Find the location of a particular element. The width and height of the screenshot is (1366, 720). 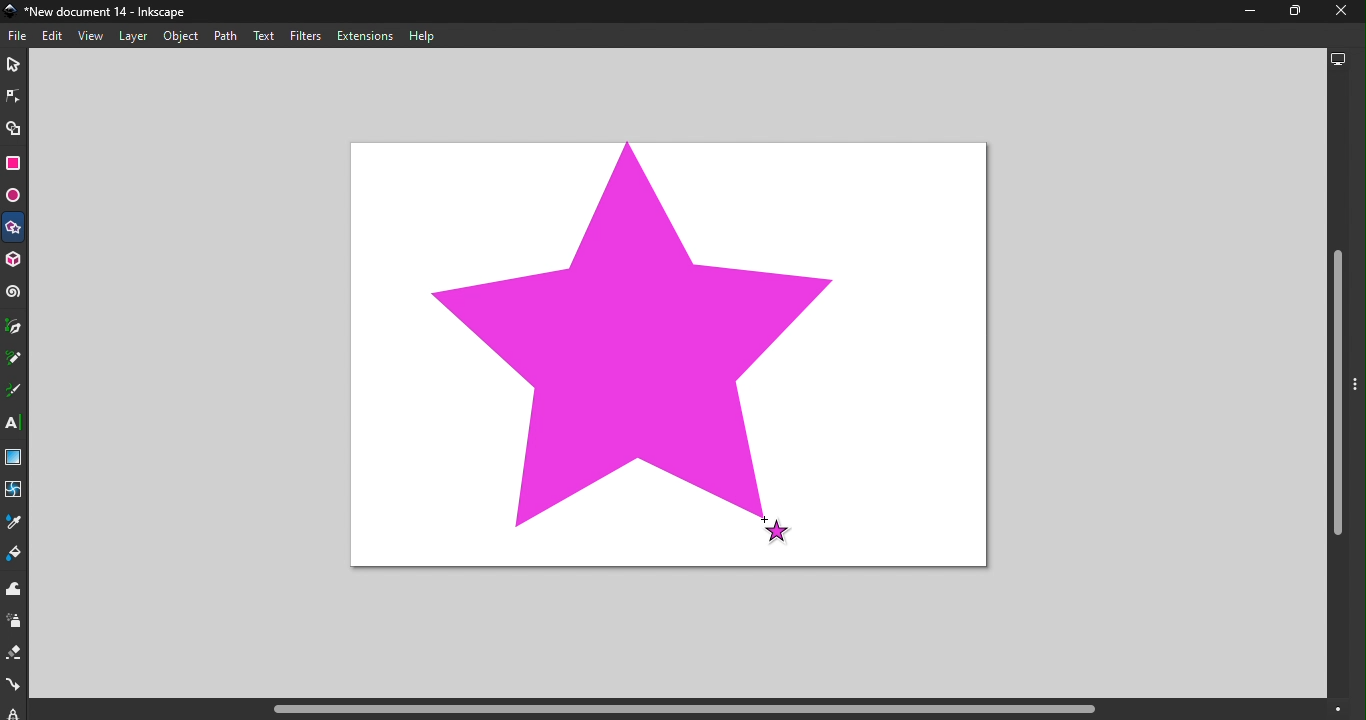

Display options is located at coordinates (1341, 60).